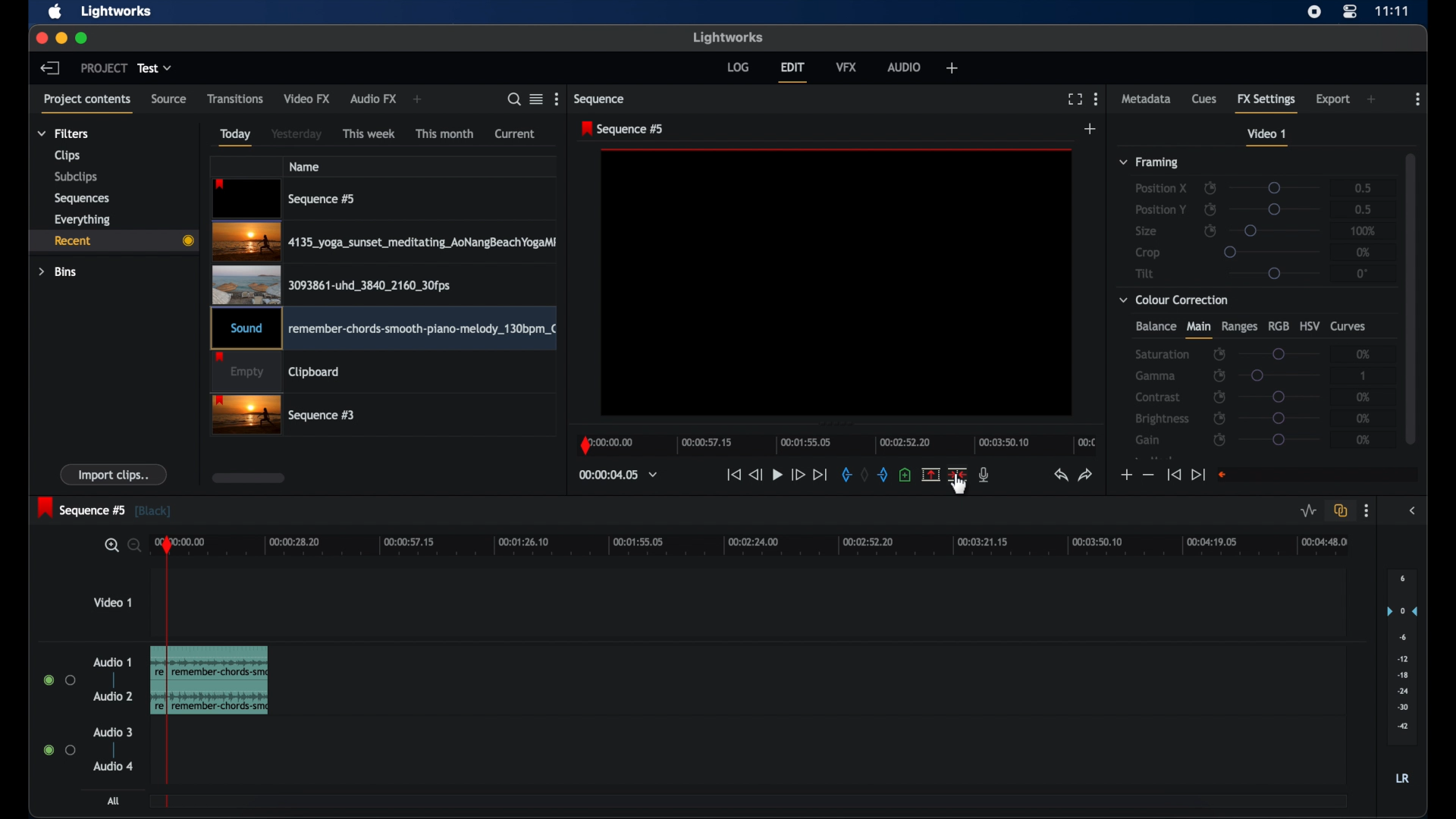 The image size is (1456, 819). What do you see at coordinates (1097, 99) in the screenshot?
I see `more options` at bounding box center [1097, 99].